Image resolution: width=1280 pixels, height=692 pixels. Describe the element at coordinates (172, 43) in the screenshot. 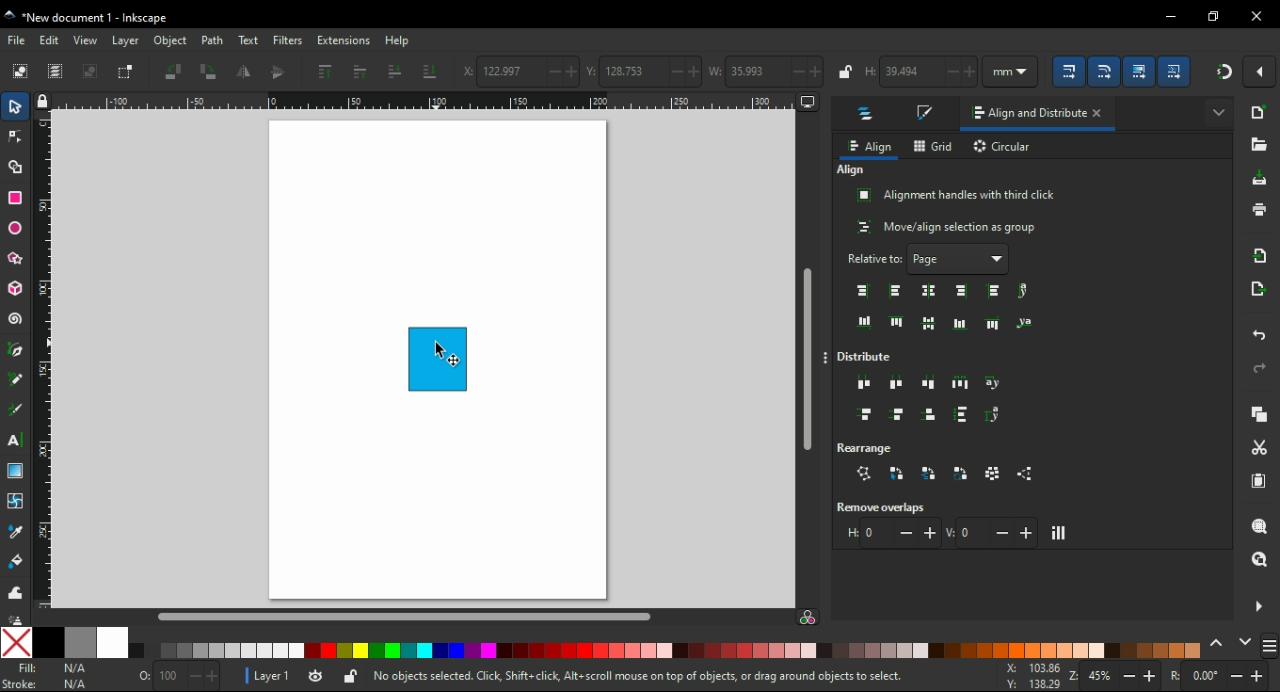

I see `object` at that location.